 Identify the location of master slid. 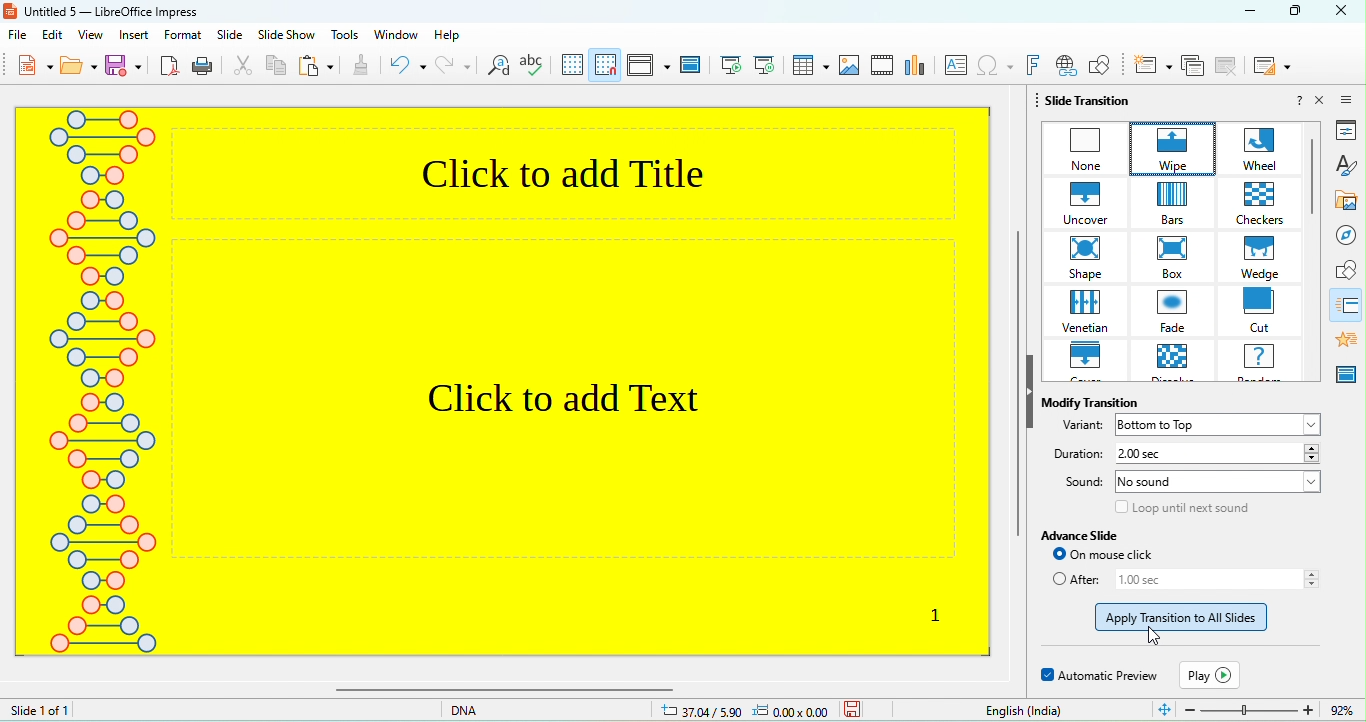
(689, 69).